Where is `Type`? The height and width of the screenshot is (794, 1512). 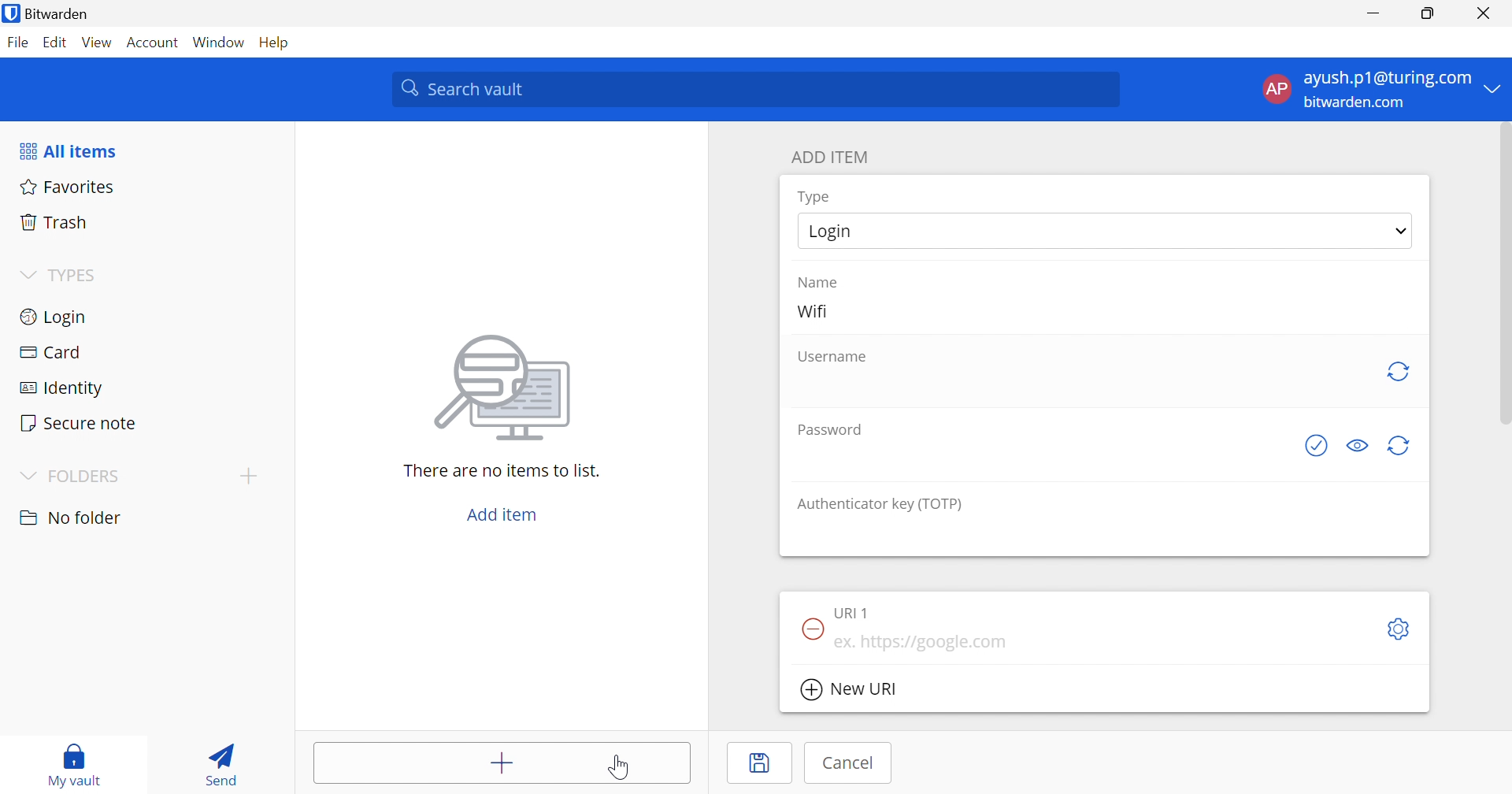 Type is located at coordinates (816, 198).